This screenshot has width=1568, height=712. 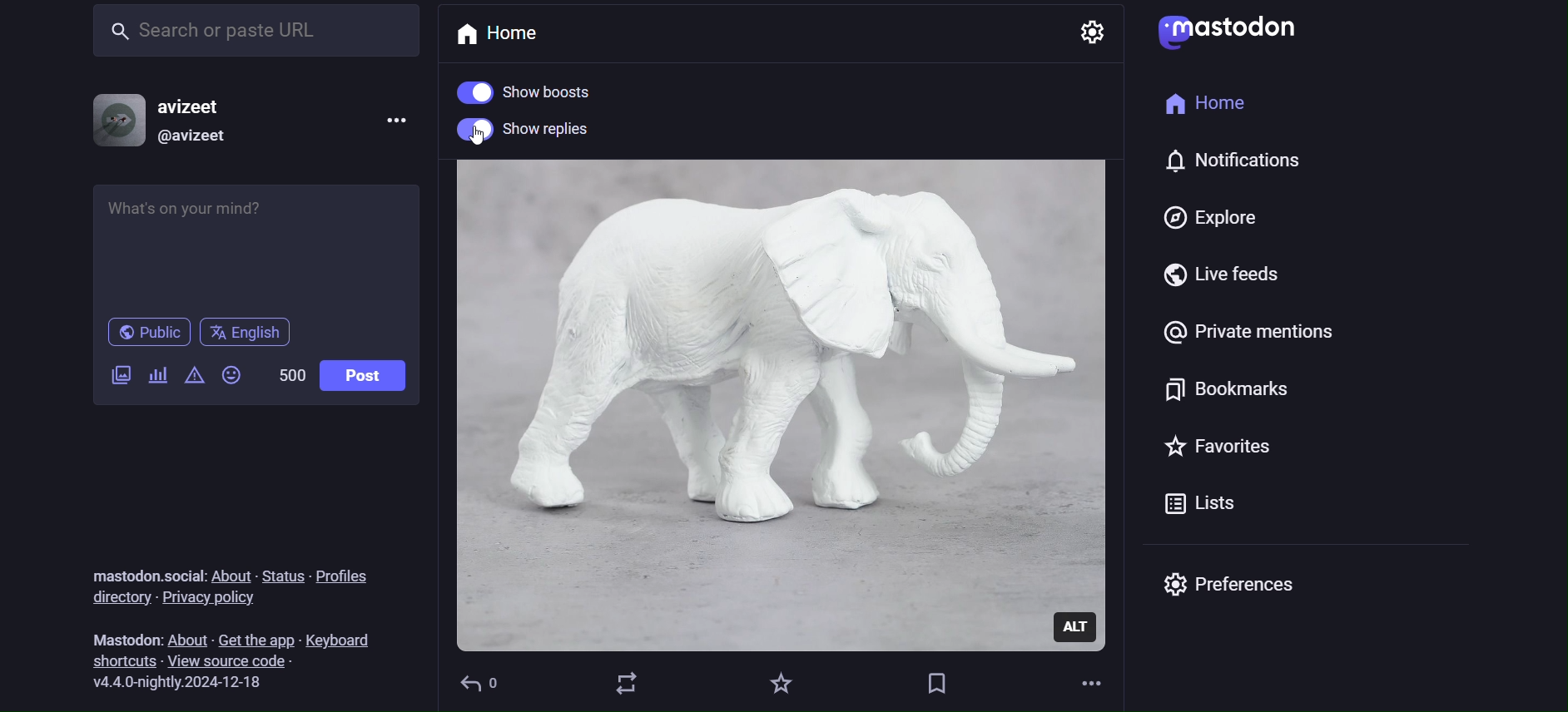 What do you see at coordinates (185, 638) in the screenshot?
I see `about` at bounding box center [185, 638].